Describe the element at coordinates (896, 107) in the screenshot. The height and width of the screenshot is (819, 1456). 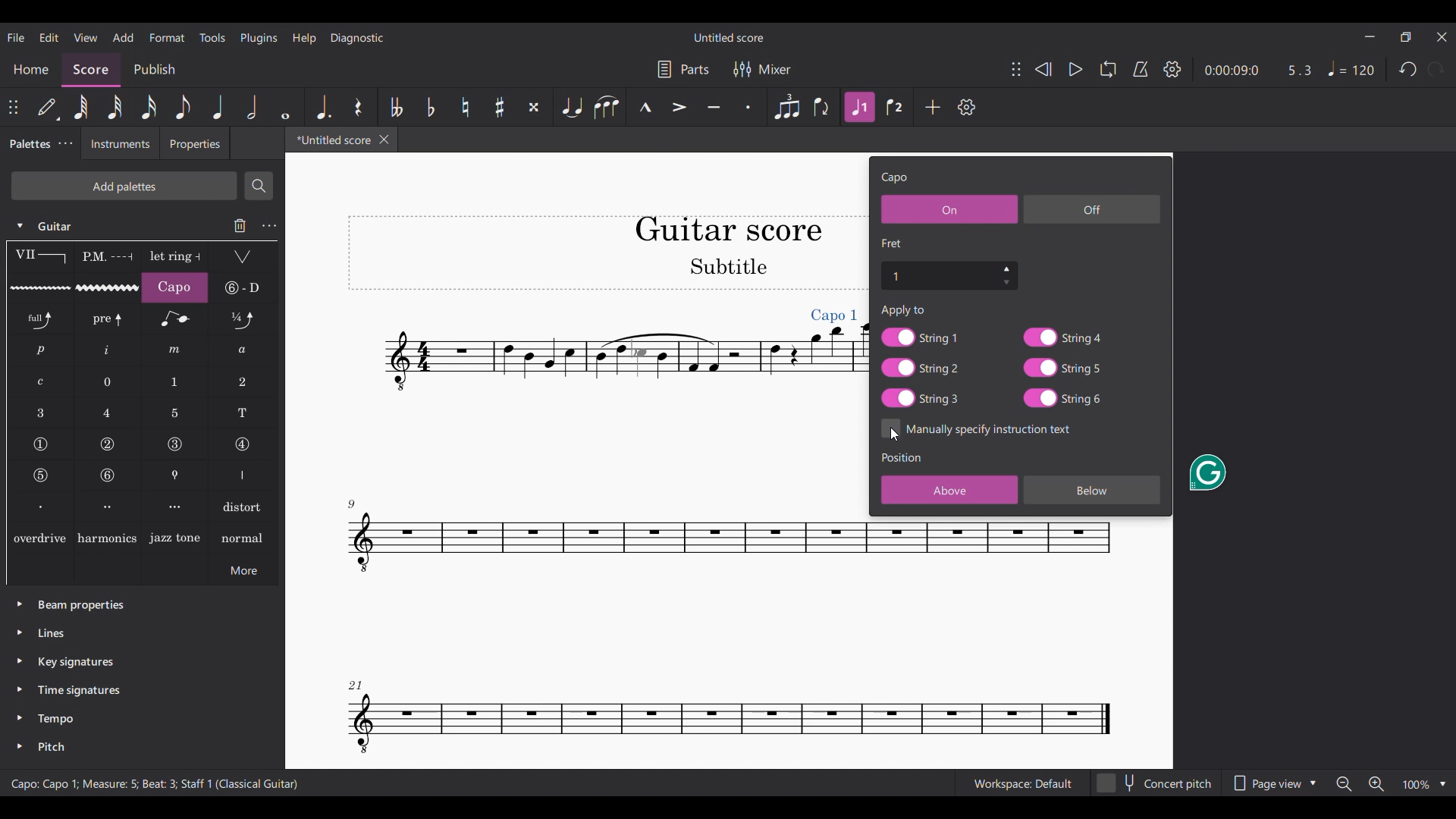
I see `Voice 2` at that location.